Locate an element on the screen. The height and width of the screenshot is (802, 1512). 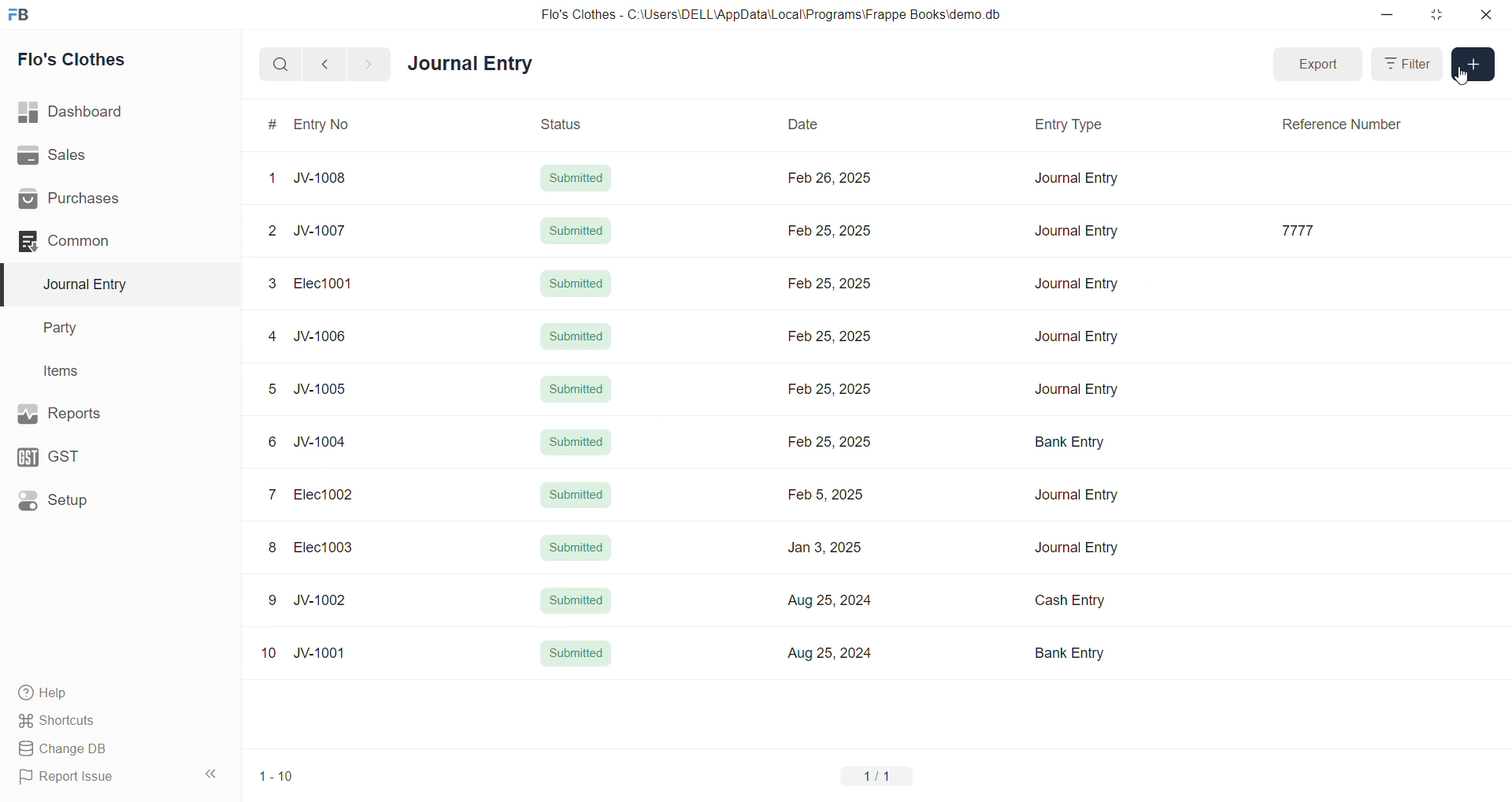
Elec1001 is located at coordinates (324, 284).